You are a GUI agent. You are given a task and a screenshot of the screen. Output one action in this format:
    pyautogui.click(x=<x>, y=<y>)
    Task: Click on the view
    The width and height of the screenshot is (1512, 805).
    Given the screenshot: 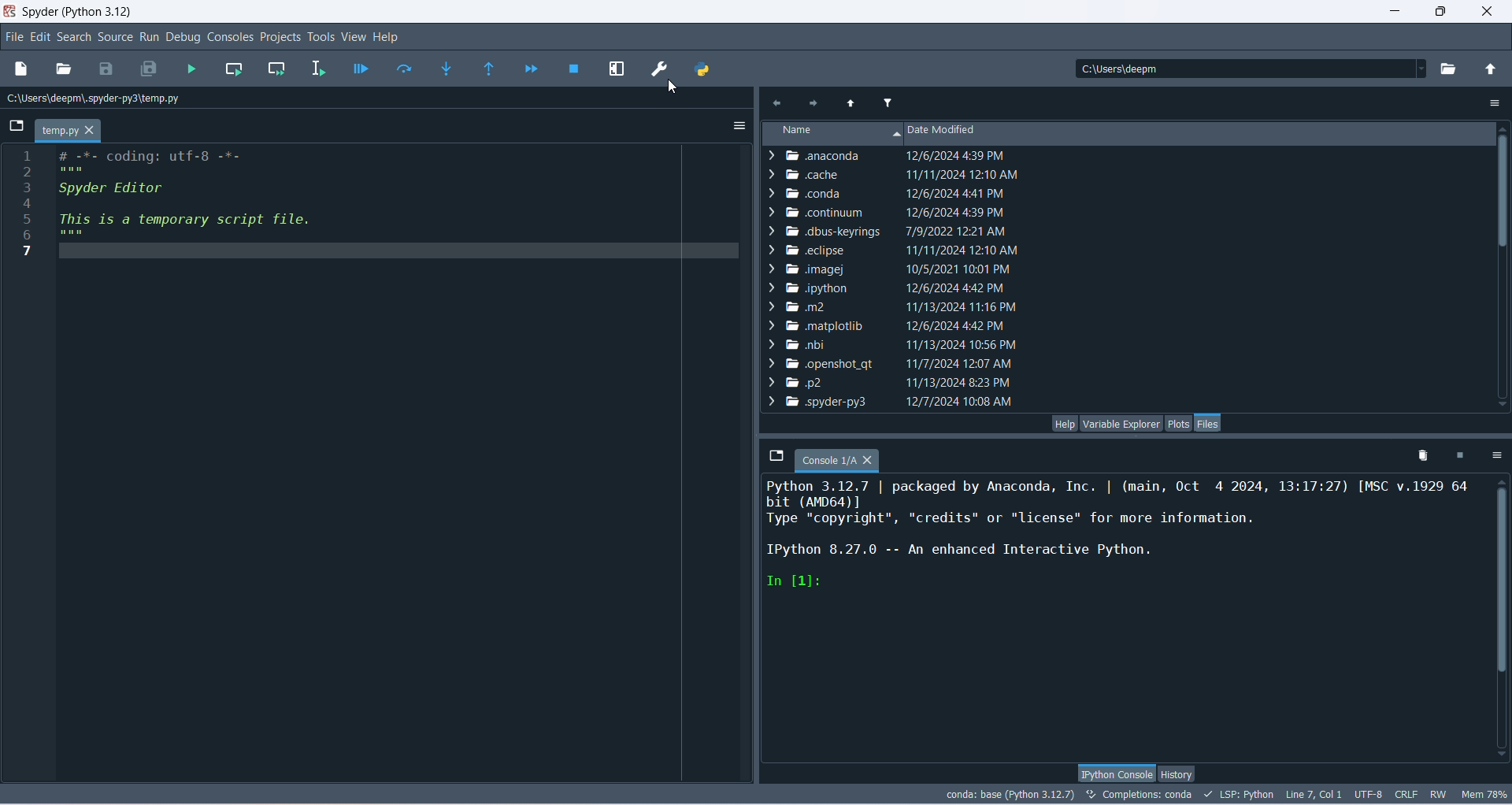 What is the action you would take?
    pyautogui.click(x=353, y=36)
    